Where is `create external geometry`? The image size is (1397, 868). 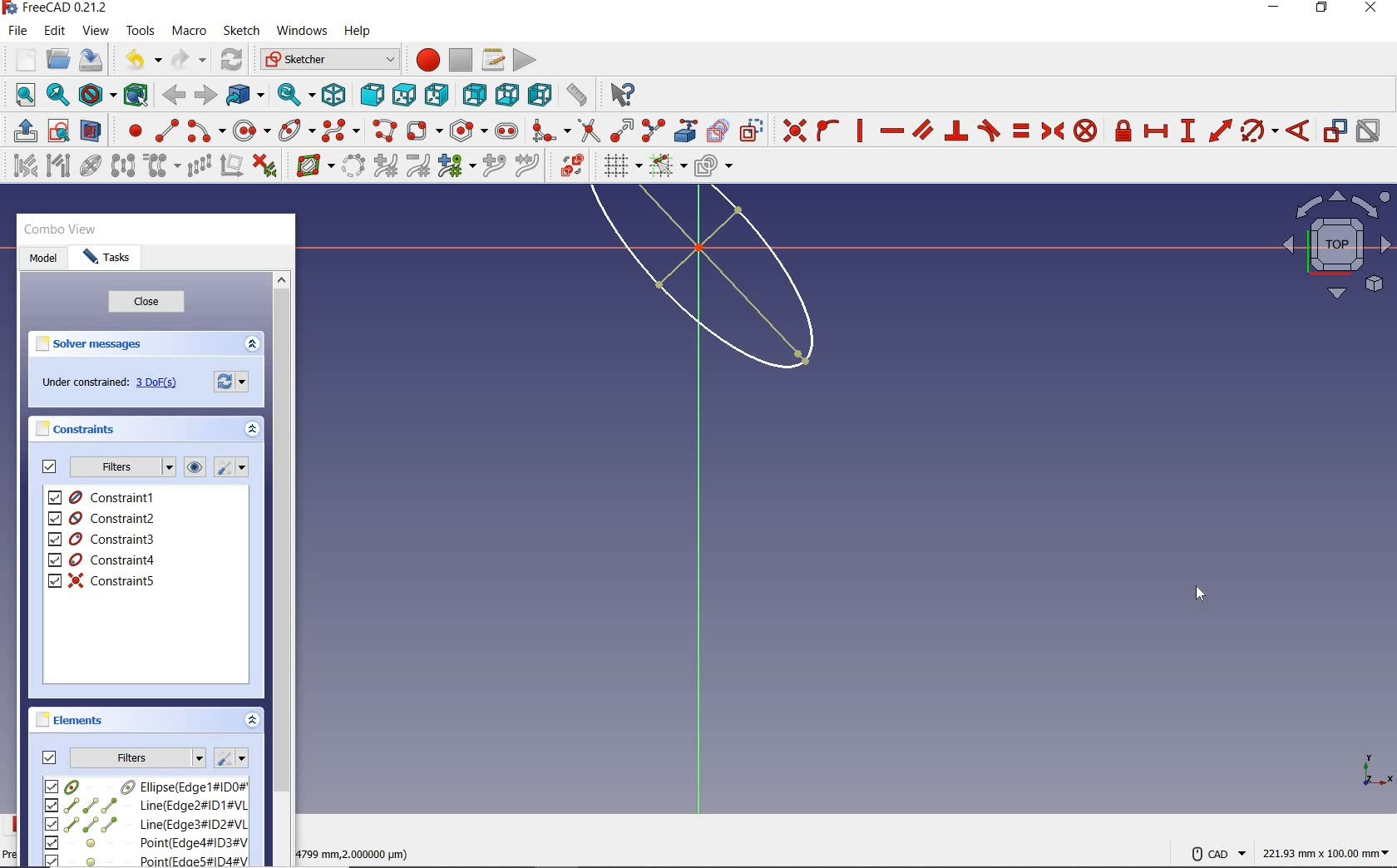 create external geometry is located at coordinates (684, 131).